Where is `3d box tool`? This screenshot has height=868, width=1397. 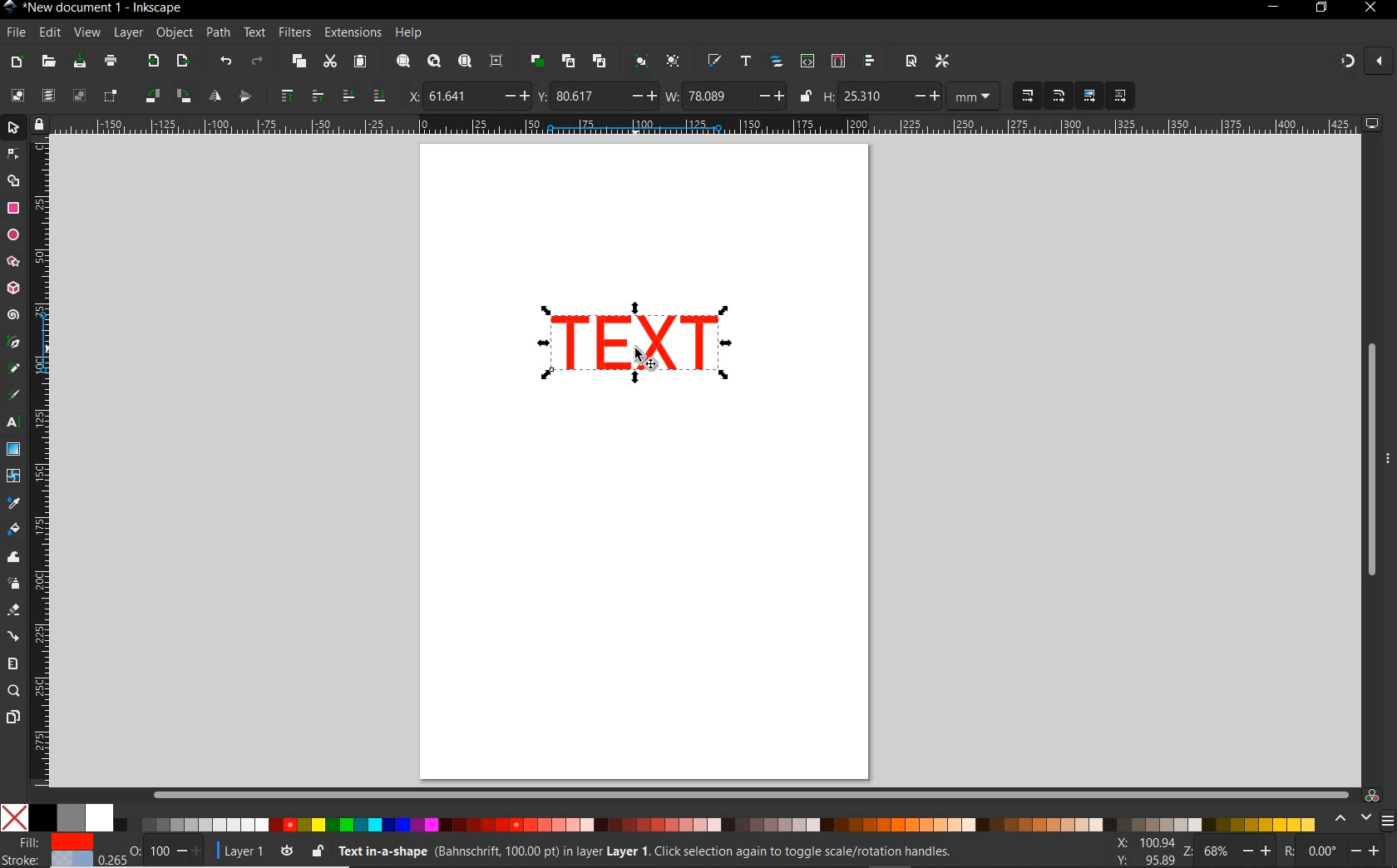
3d box tool is located at coordinates (15, 287).